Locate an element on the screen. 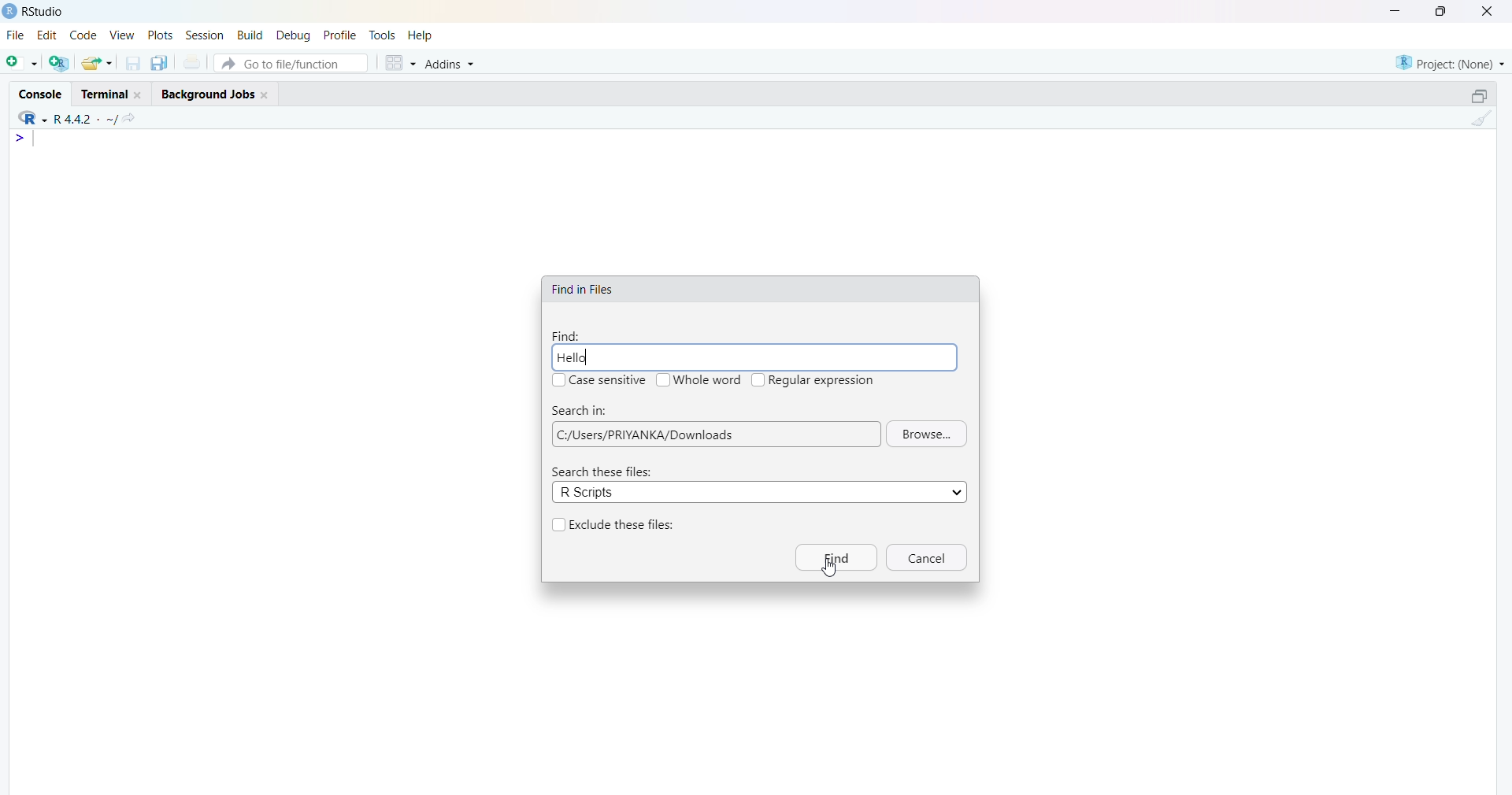 The image size is (1512, 795). add file is located at coordinates (61, 63).